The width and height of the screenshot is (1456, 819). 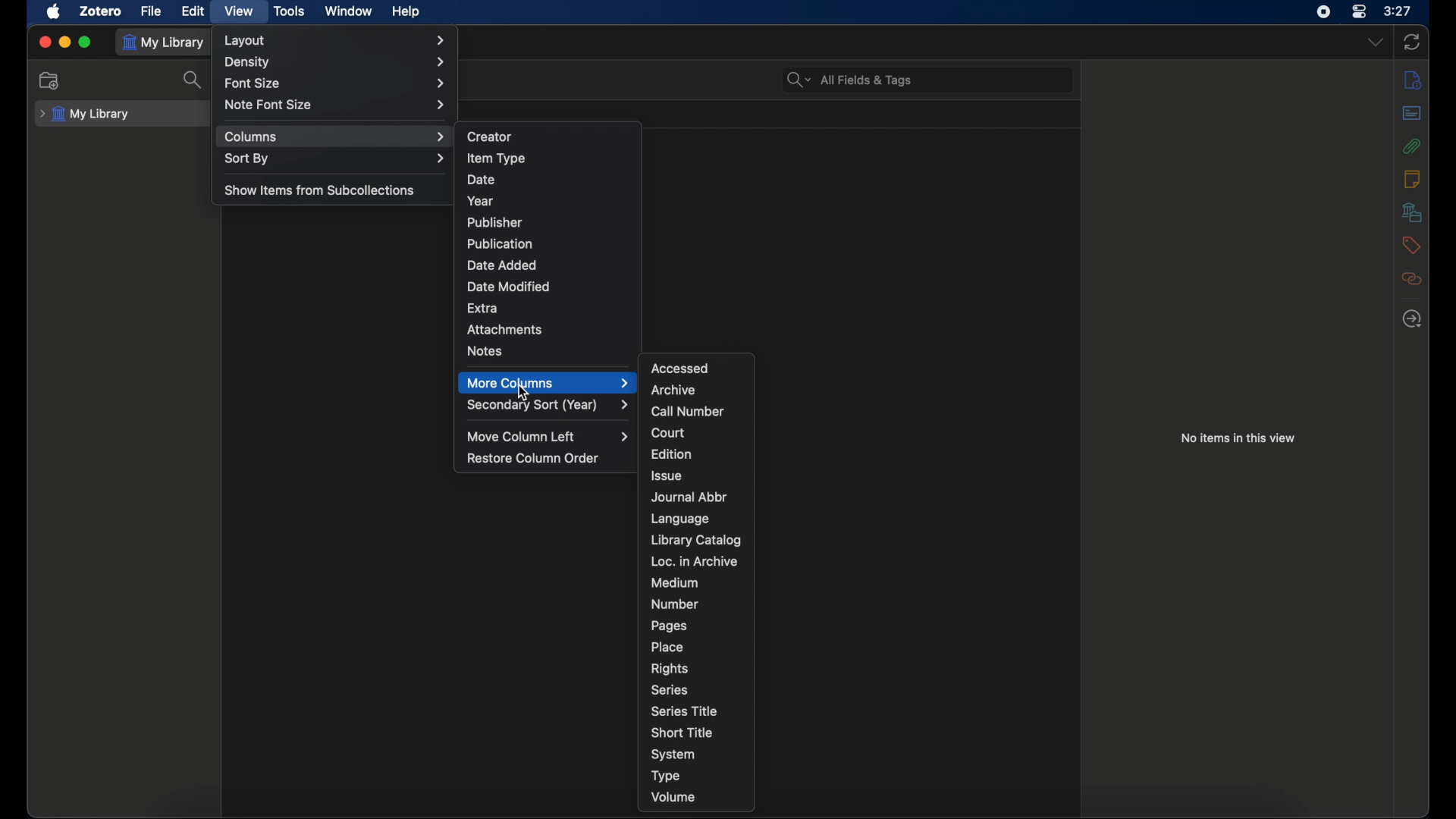 I want to click on zotero, so click(x=100, y=11).